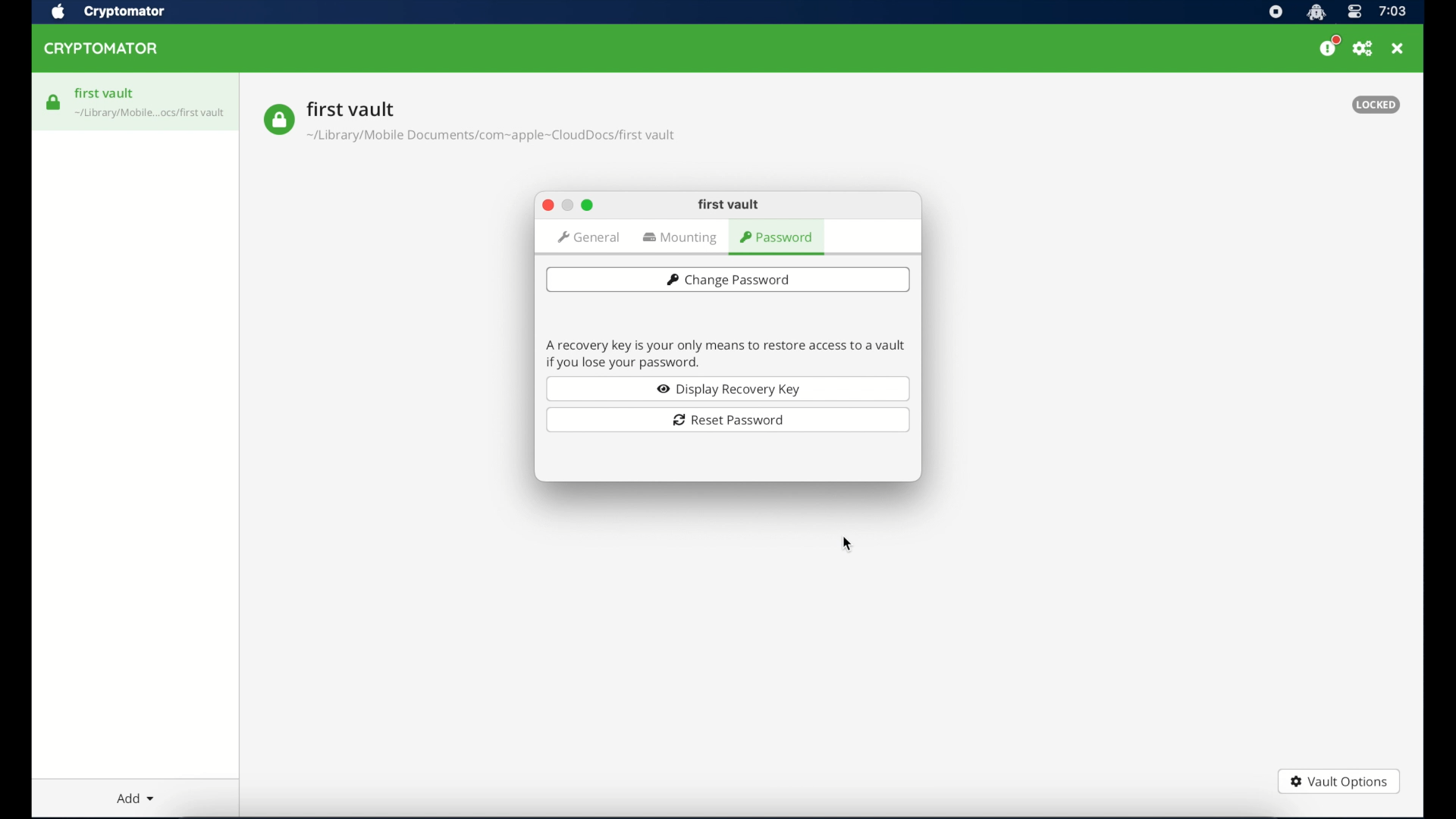 The width and height of the screenshot is (1456, 819). Describe the element at coordinates (124, 13) in the screenshot. I see `crytptomator` at that location.